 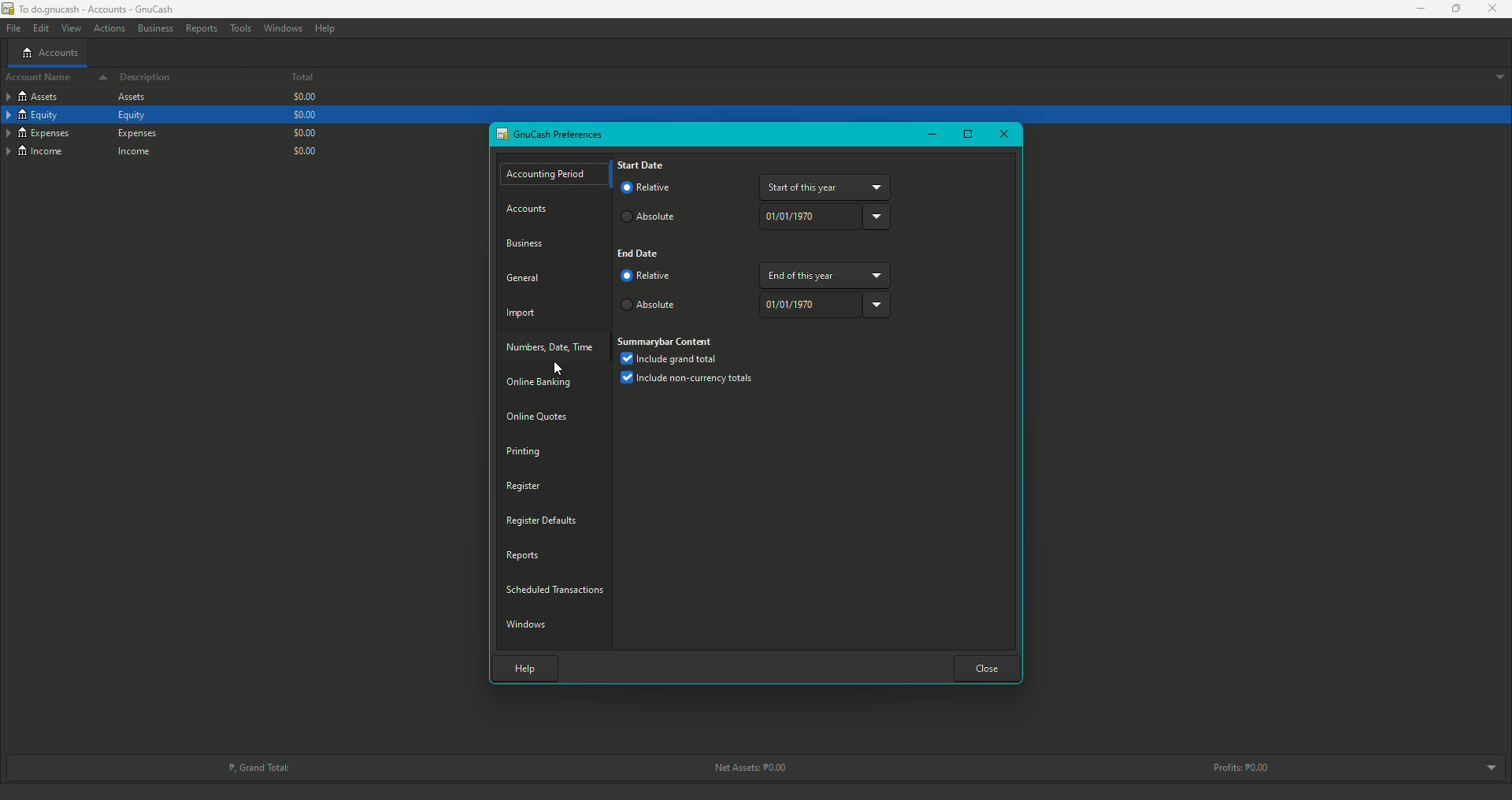 I want to click on Actions, so click(x=109, y=29).